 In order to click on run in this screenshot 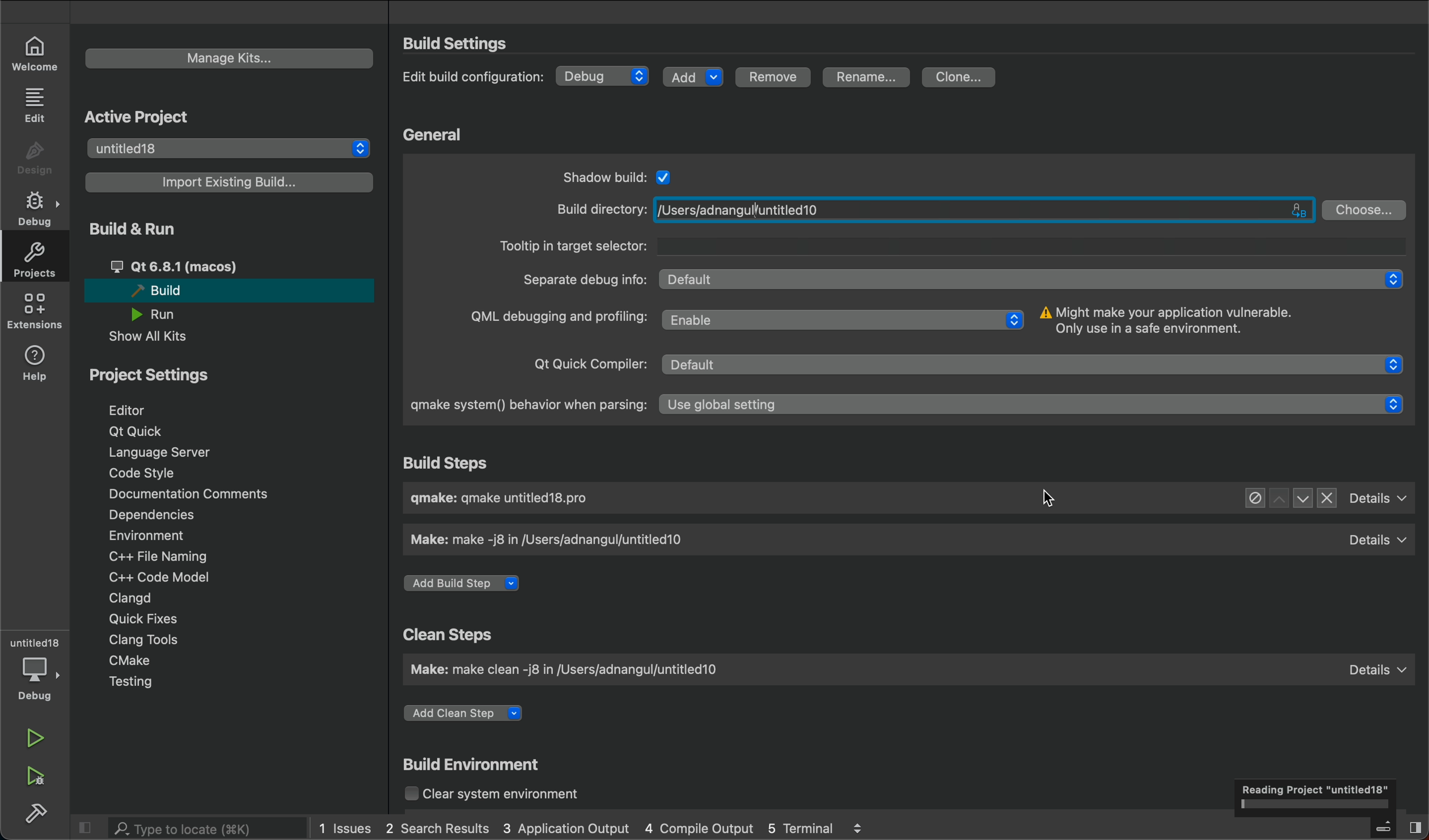, I will do `click(164, 315)`.